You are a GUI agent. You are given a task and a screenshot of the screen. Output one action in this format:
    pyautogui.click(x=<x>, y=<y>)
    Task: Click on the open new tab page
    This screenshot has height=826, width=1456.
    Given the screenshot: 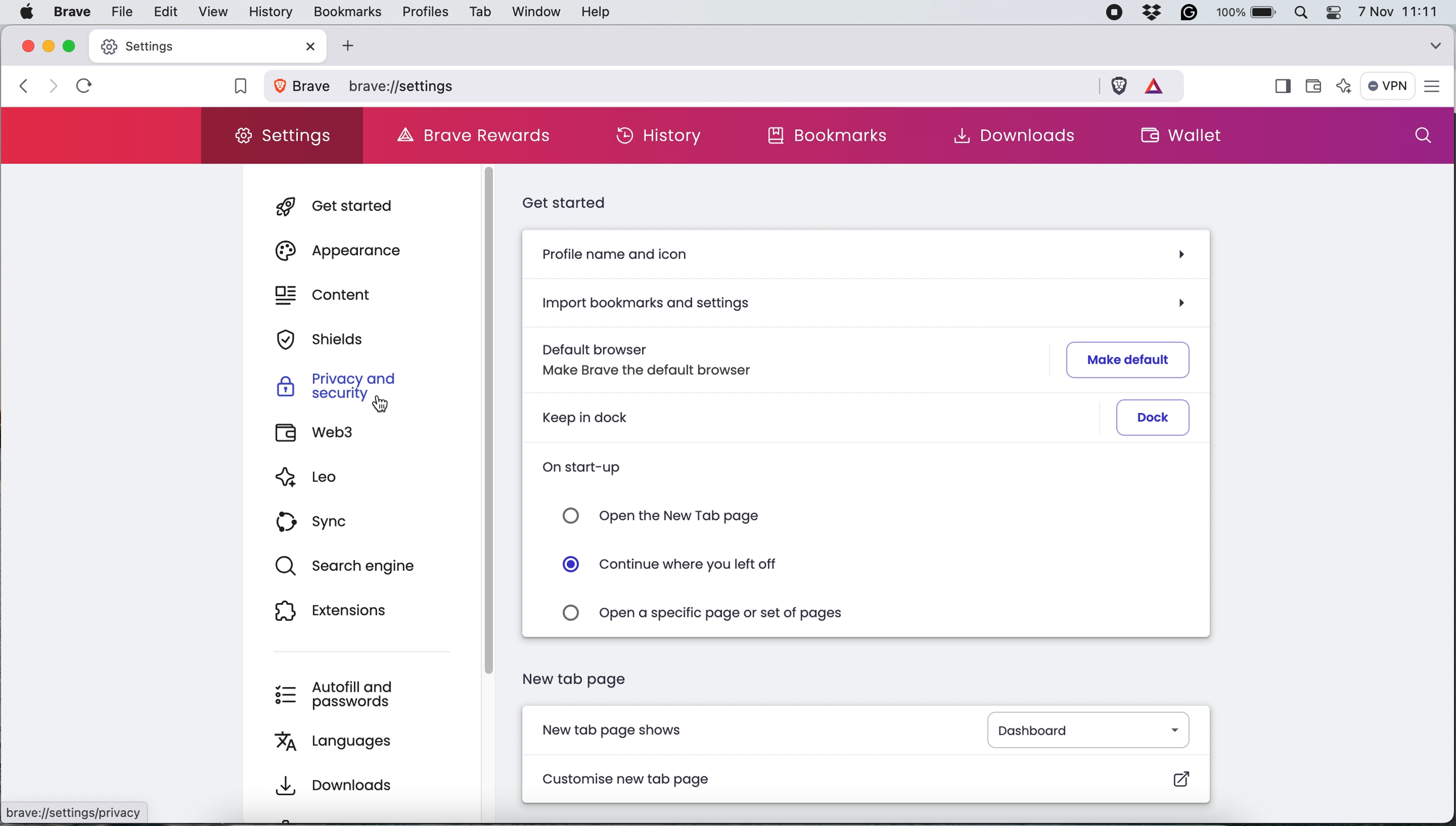 What is the action you would take?
    pyautogui.click(x=660, y=513)
    